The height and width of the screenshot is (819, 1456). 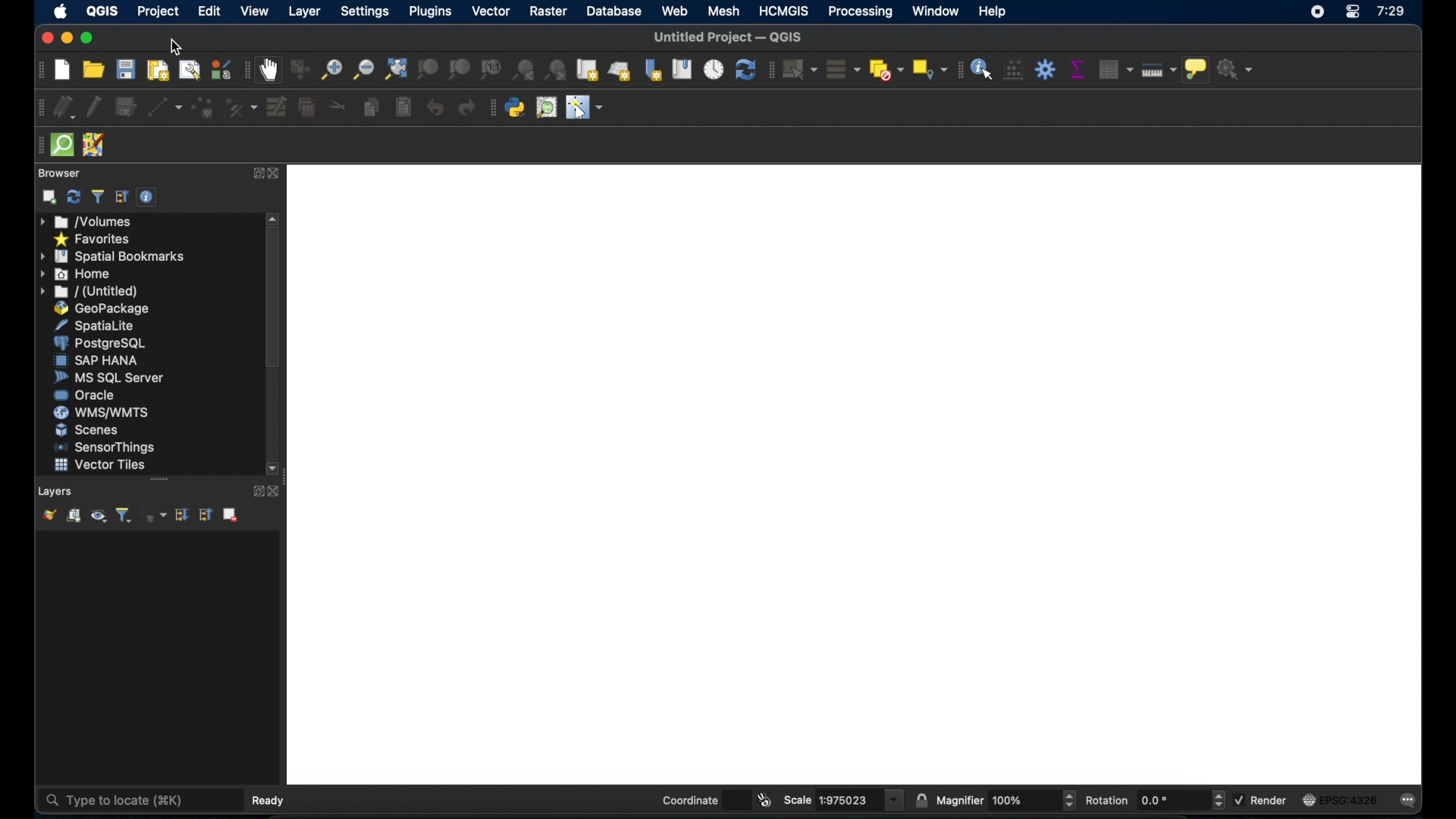 What do you see at coordinates (112, 256) in the screenshot?
I see `spatial bookmarks` at bounding box center [112, 256].